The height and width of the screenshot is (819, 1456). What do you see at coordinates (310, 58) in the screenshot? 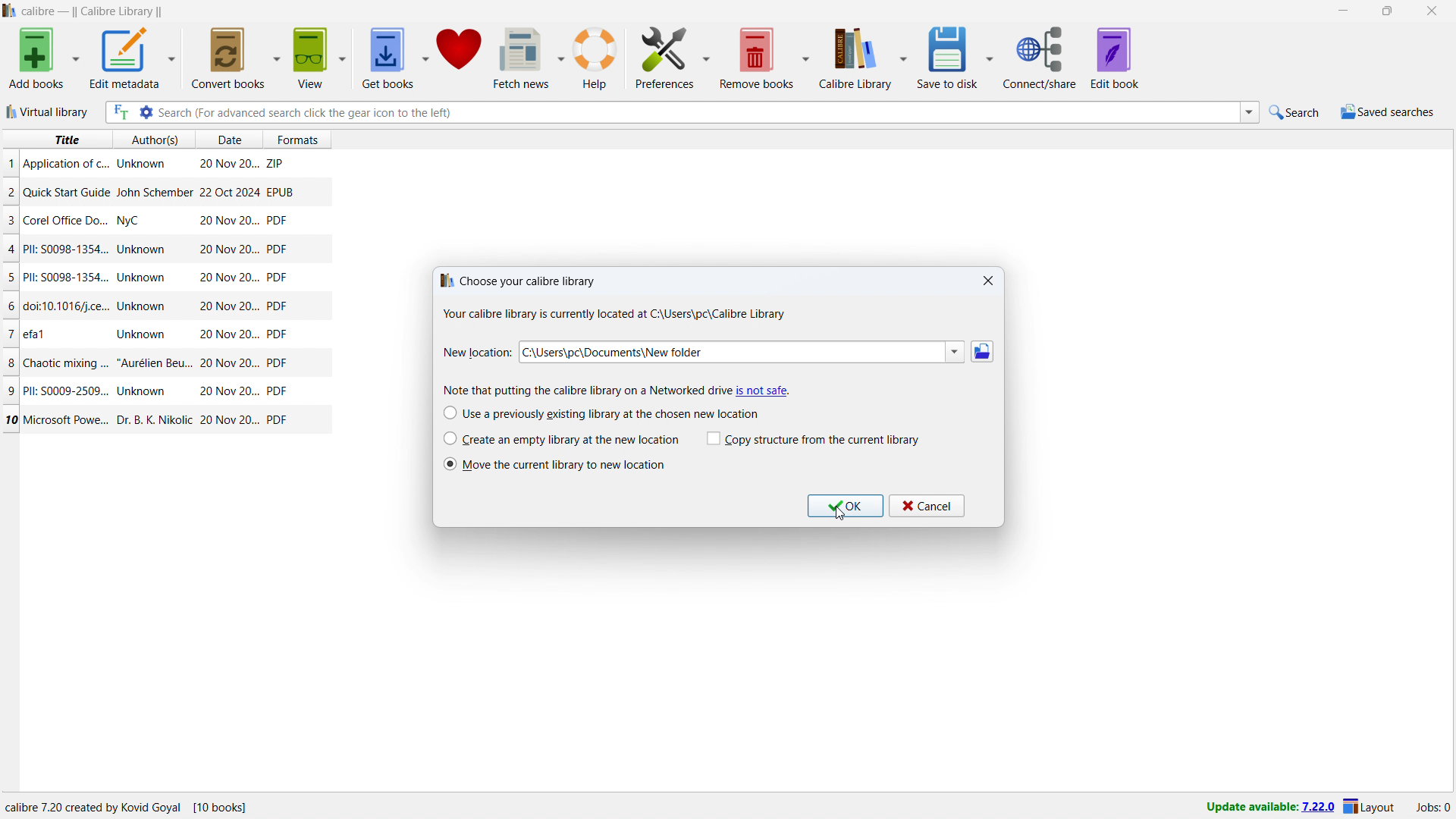
I see `view` at bounding box center [310, 58].